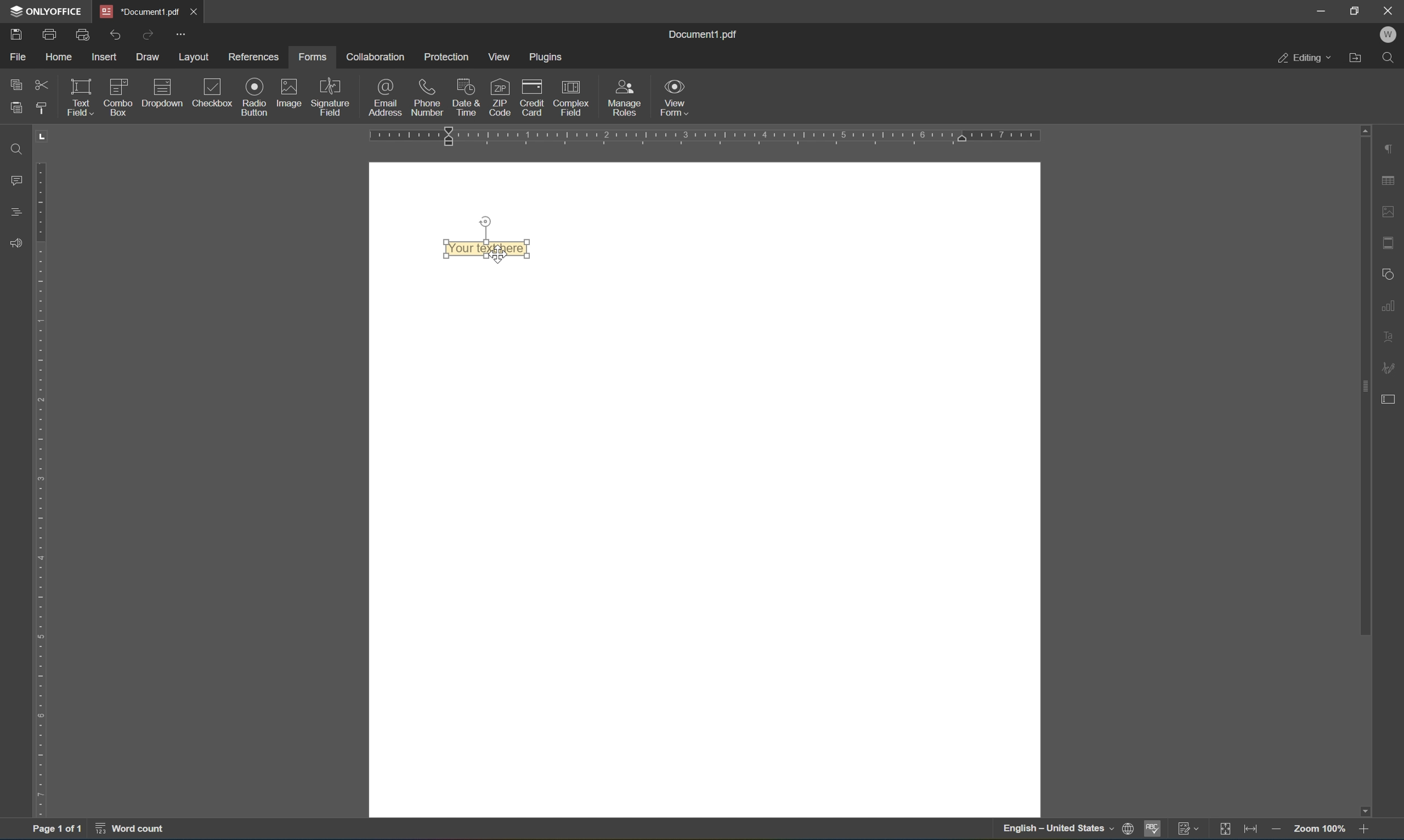 Image resolution: width=1404 pixels, height=840 pixels. What do you see at coordinates (137, 9) in the screenshot?
I see `document1` at bounding box center [137, 9].